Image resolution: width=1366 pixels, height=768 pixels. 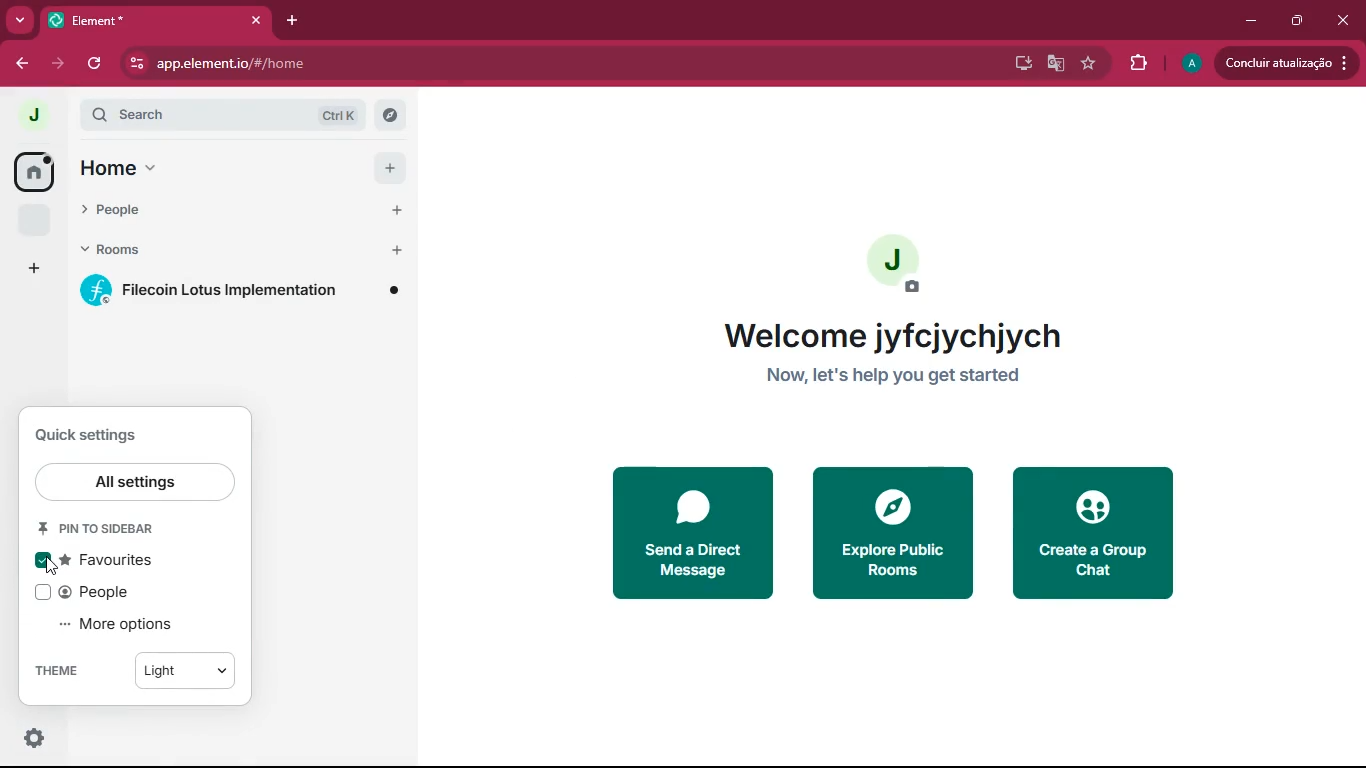 I want to click on extensions, so click(x=1136, y=63).